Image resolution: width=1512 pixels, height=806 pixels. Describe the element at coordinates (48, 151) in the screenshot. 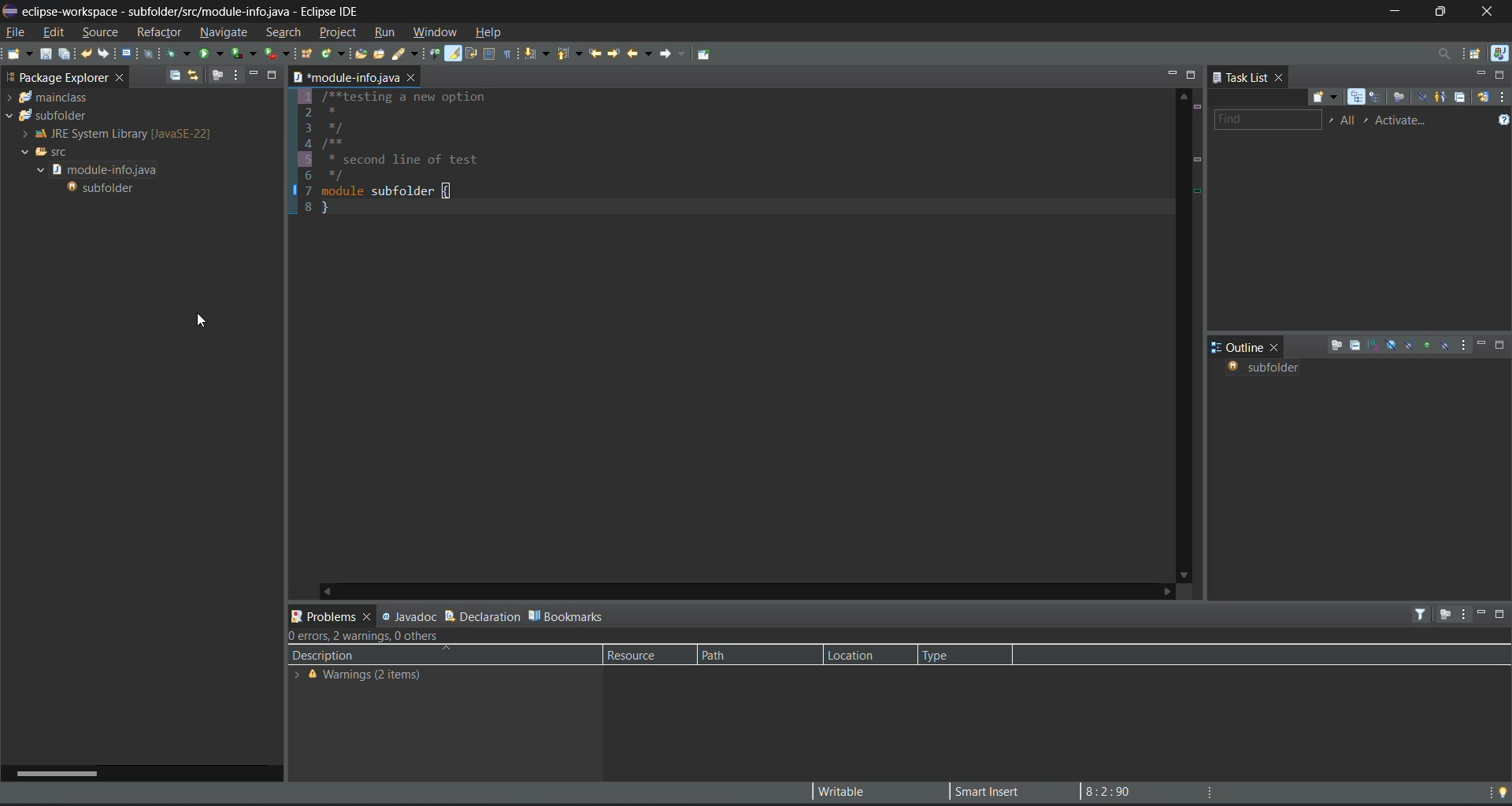

I see `src` at that location.